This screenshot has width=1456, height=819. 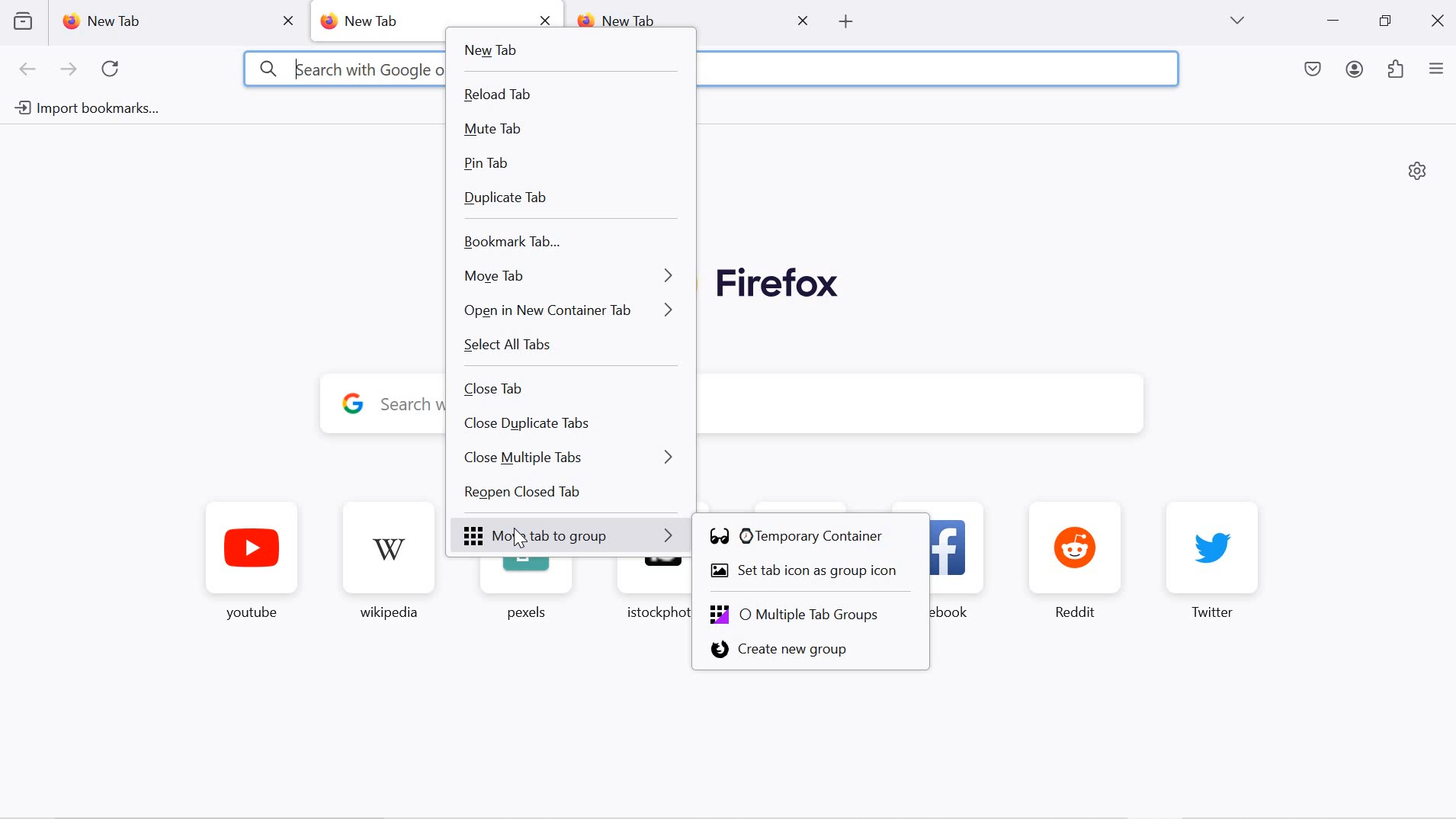 What do you see at coordinates (353, 402) in the screenshot?
I see `google logo` at bounding box center [353, 402].